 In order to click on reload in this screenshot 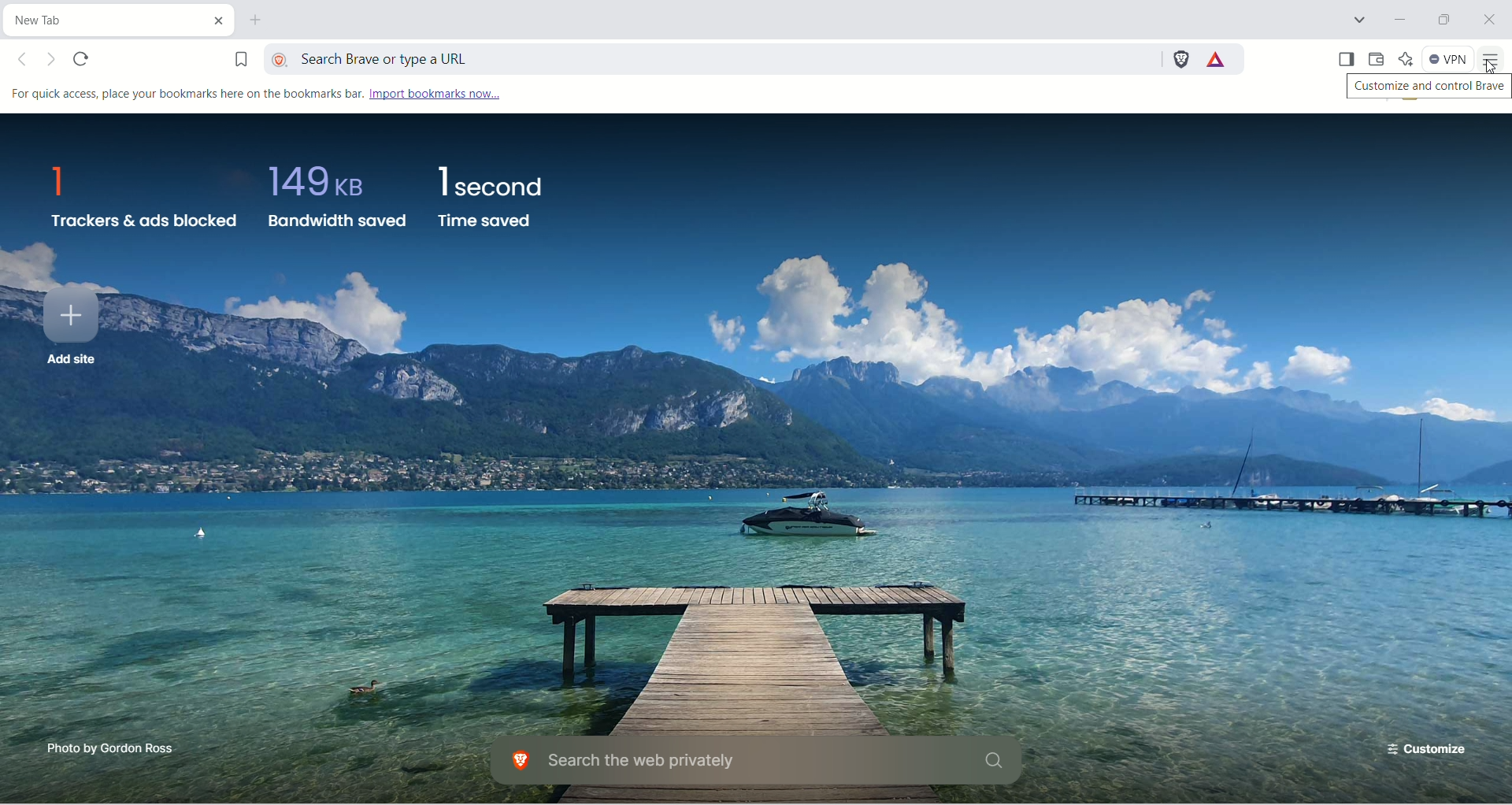, I will do `click(84, 59)`.